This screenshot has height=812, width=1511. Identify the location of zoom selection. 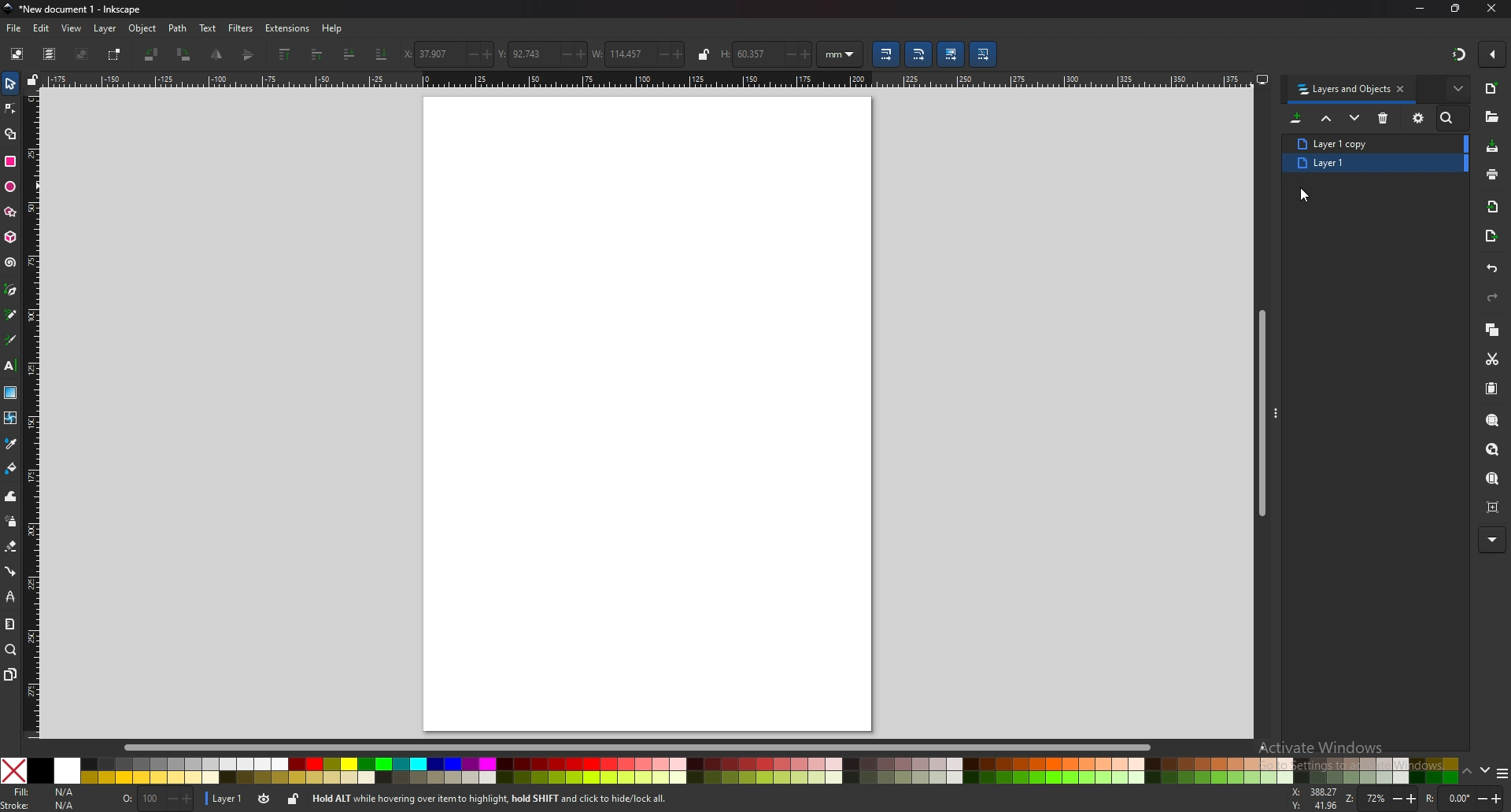
(1494, 419).